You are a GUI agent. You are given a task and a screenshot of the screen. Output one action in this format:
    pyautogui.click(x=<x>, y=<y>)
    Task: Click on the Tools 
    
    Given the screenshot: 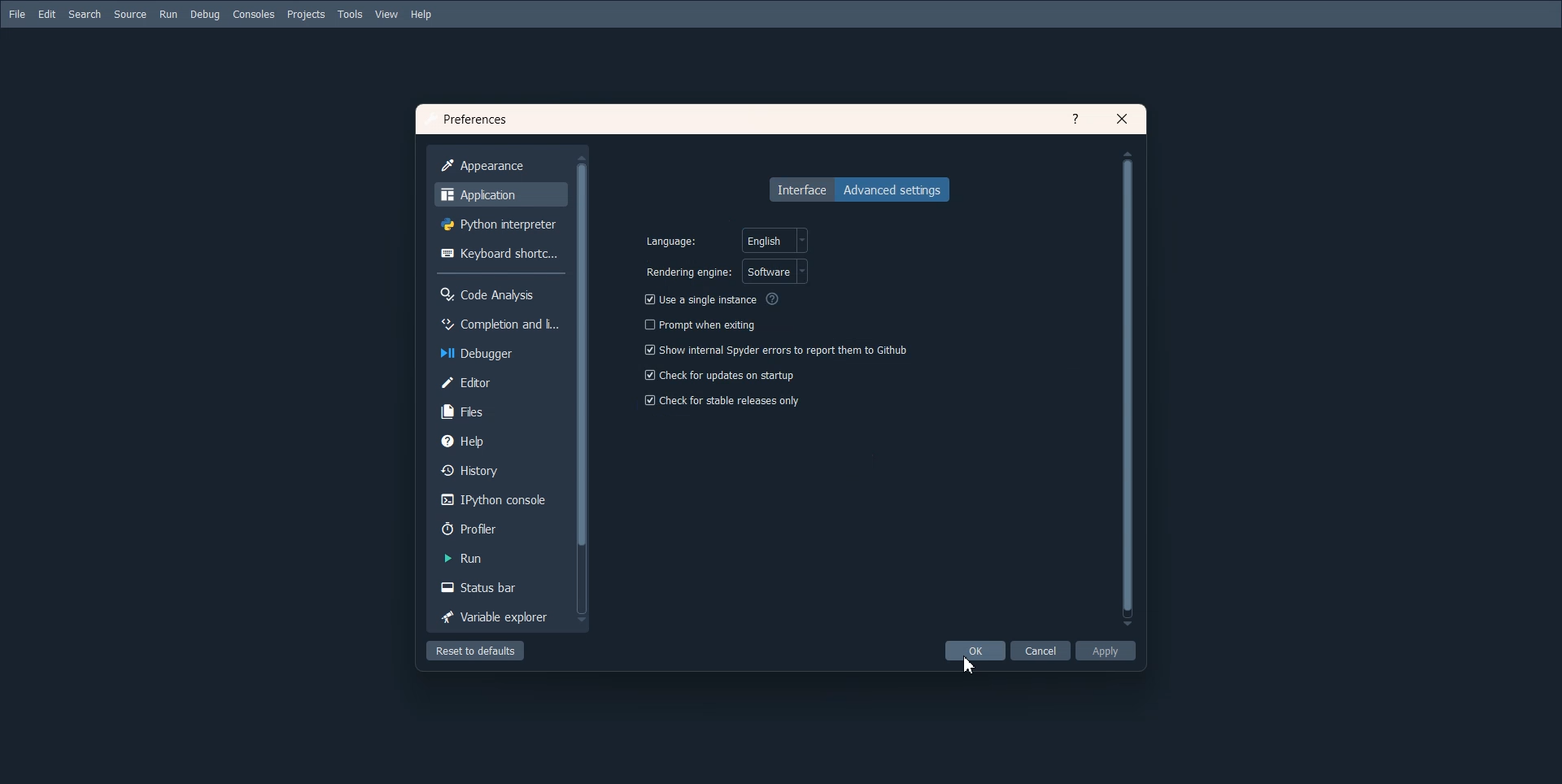 What is the action you would take?
    pyautogui.click(x=350, y=14)
    